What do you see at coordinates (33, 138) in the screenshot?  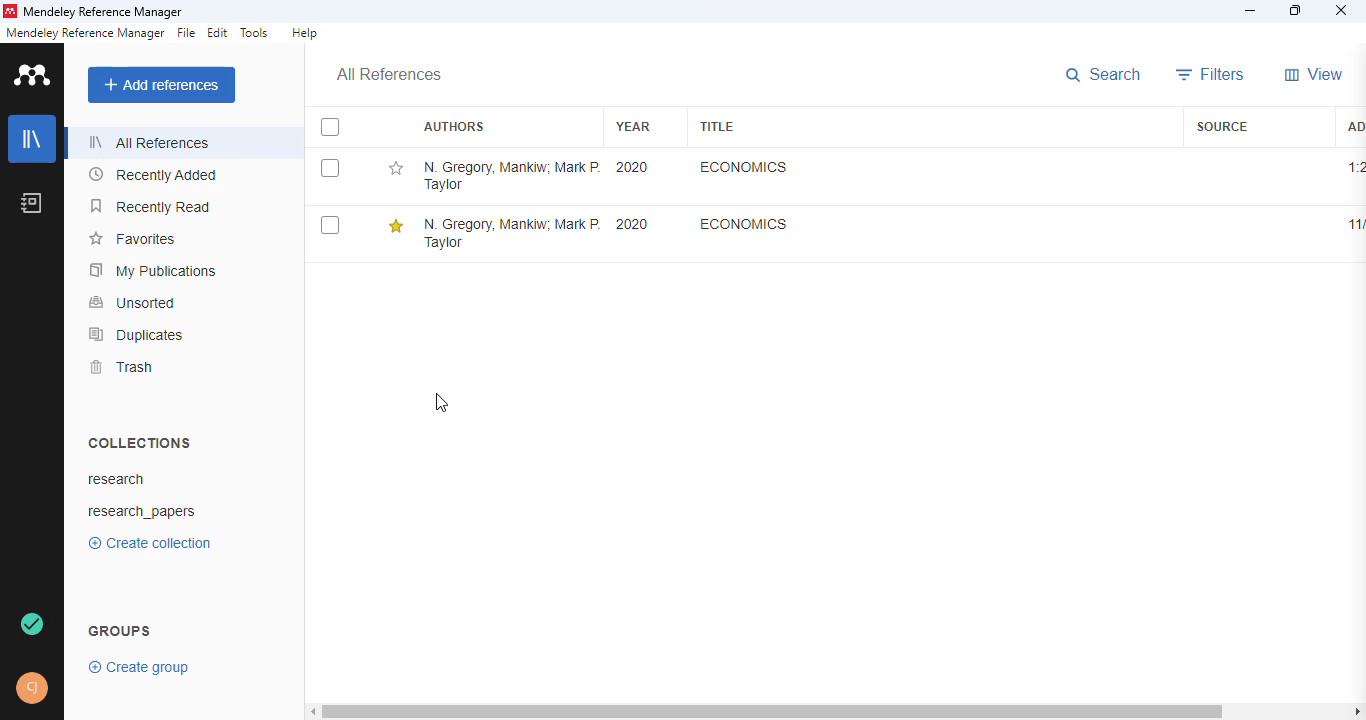 I see `library` at bounding box center [33, 138].